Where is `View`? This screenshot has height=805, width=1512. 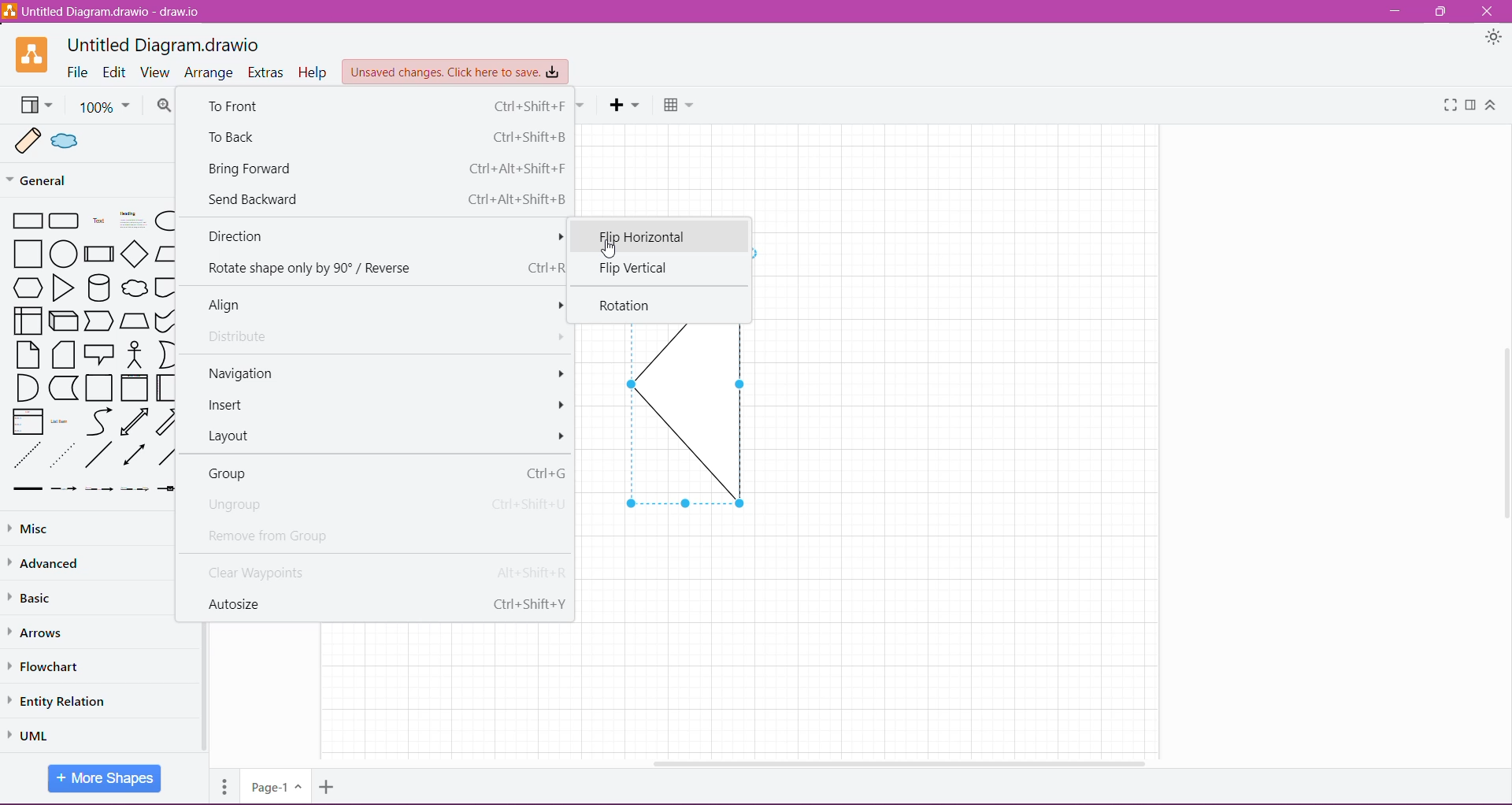
View is located at coordinates (35, 106).